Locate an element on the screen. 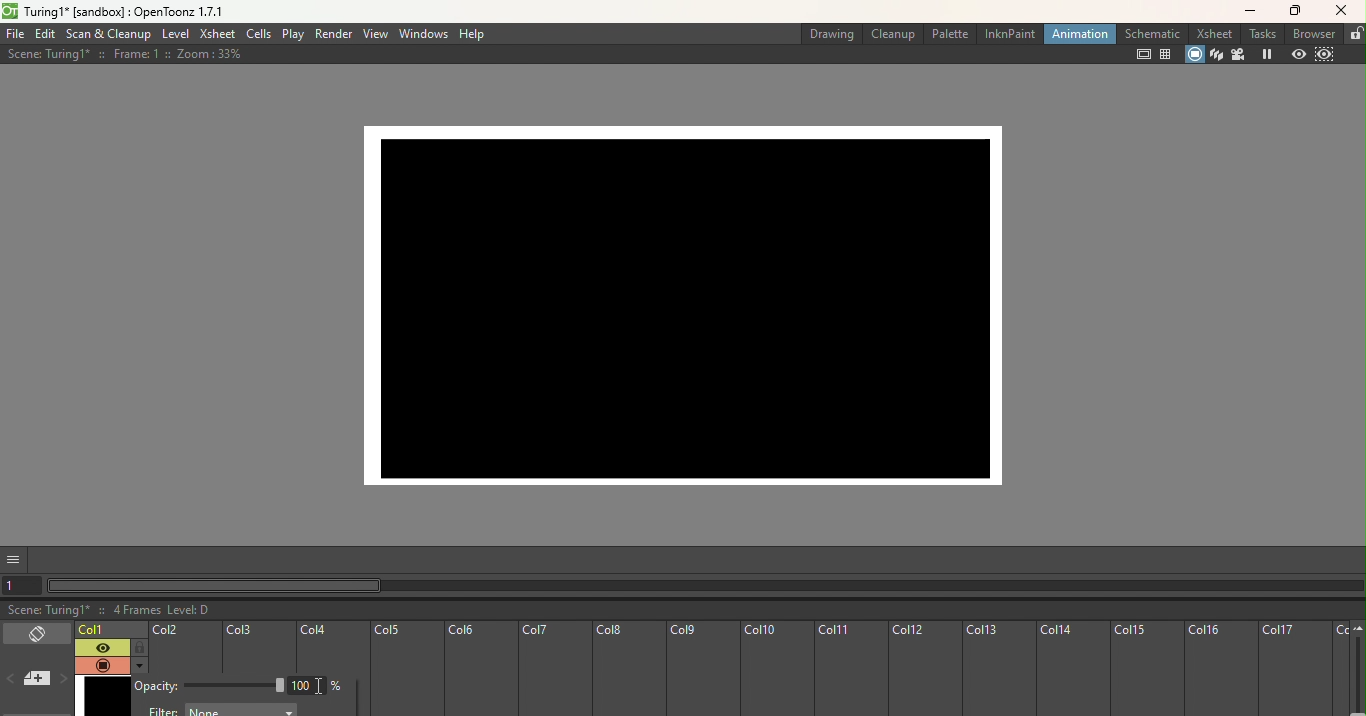 The image size is (1366, 716). Col9 is located at coordinates (700, 669).